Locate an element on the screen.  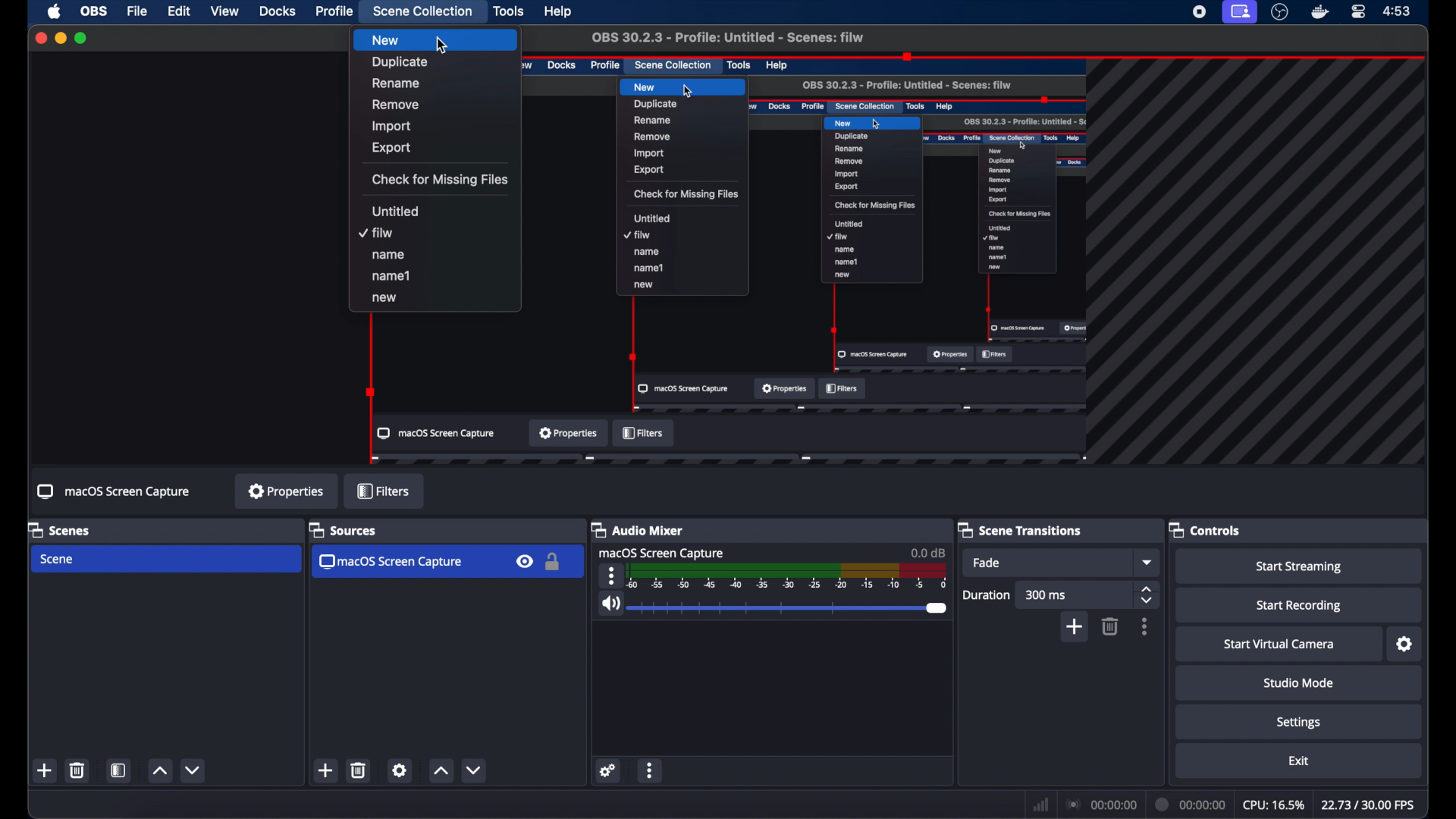
docker is located at coordinates (1318, 12).